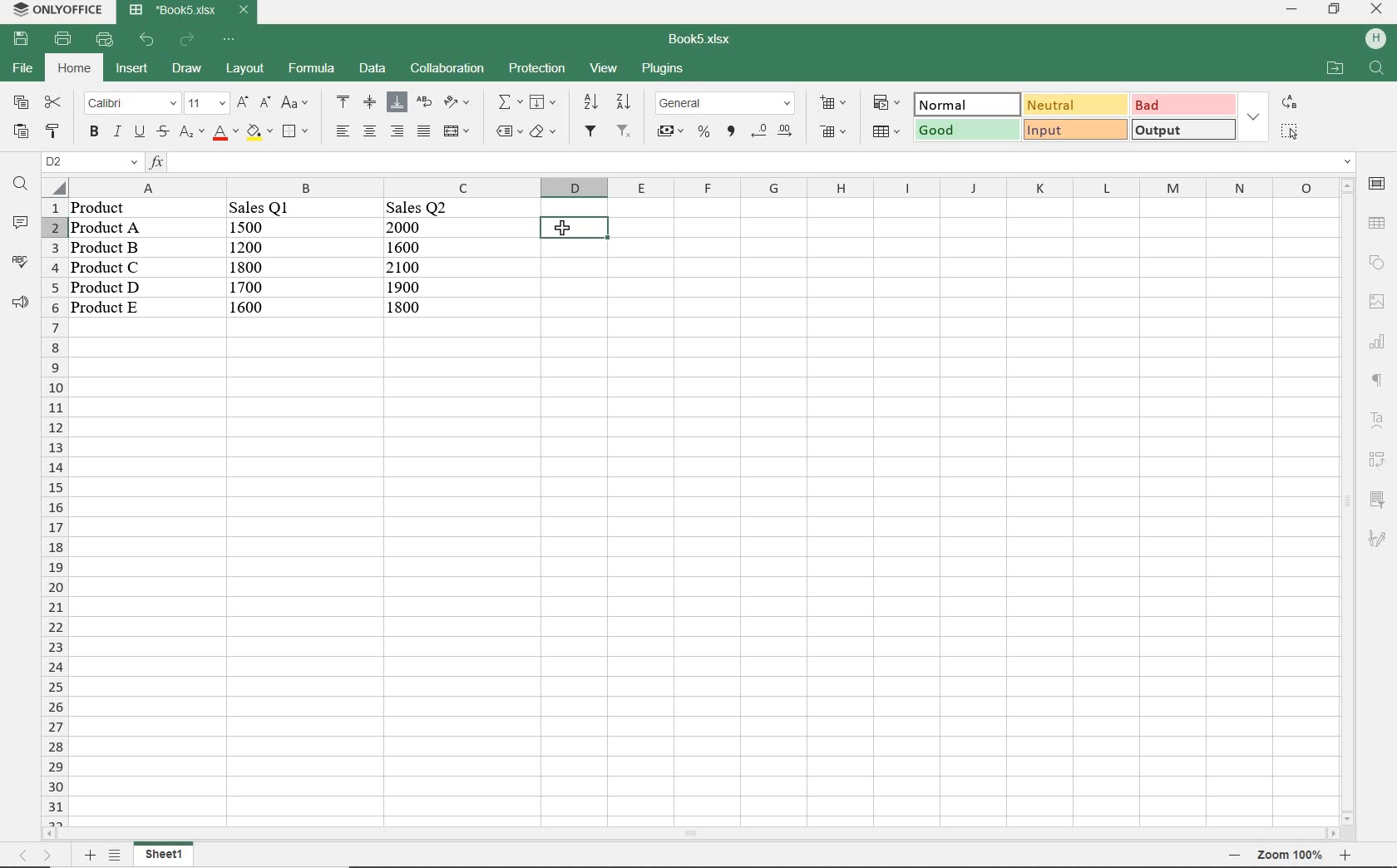 The height and width of the screenshot is (868, 1397). Describe the element at coordinates (161, 131) in the screenshot. I see `strikethrough` at that location.